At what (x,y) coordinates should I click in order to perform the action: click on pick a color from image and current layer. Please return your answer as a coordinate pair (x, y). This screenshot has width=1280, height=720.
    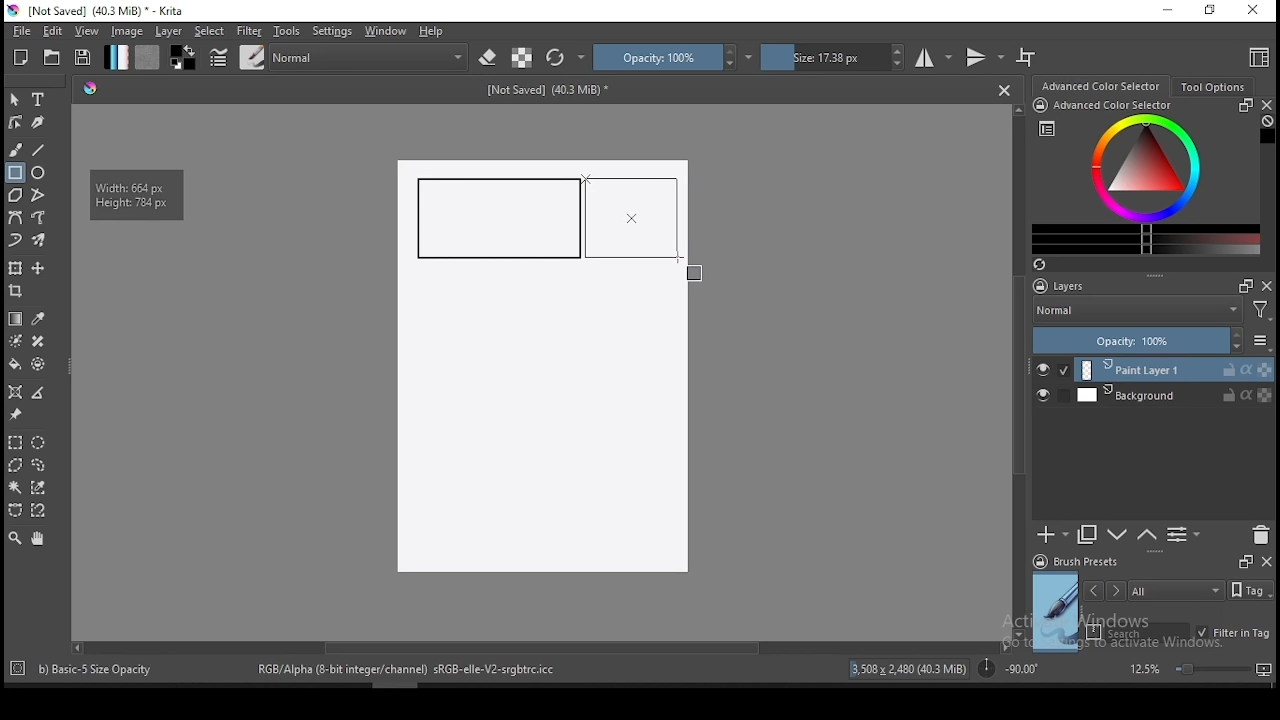
    Looking at the image, I should click on (39, 319).